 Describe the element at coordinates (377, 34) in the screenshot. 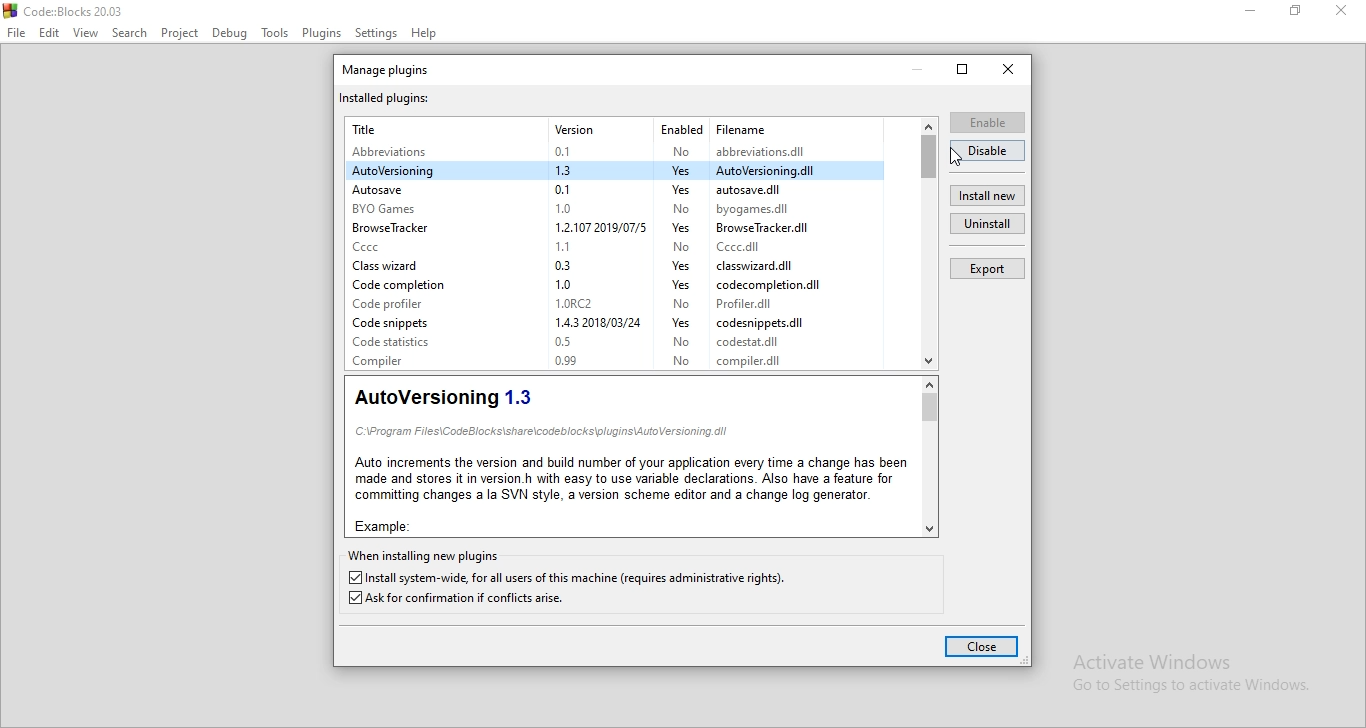

I see `Settings` at that location.